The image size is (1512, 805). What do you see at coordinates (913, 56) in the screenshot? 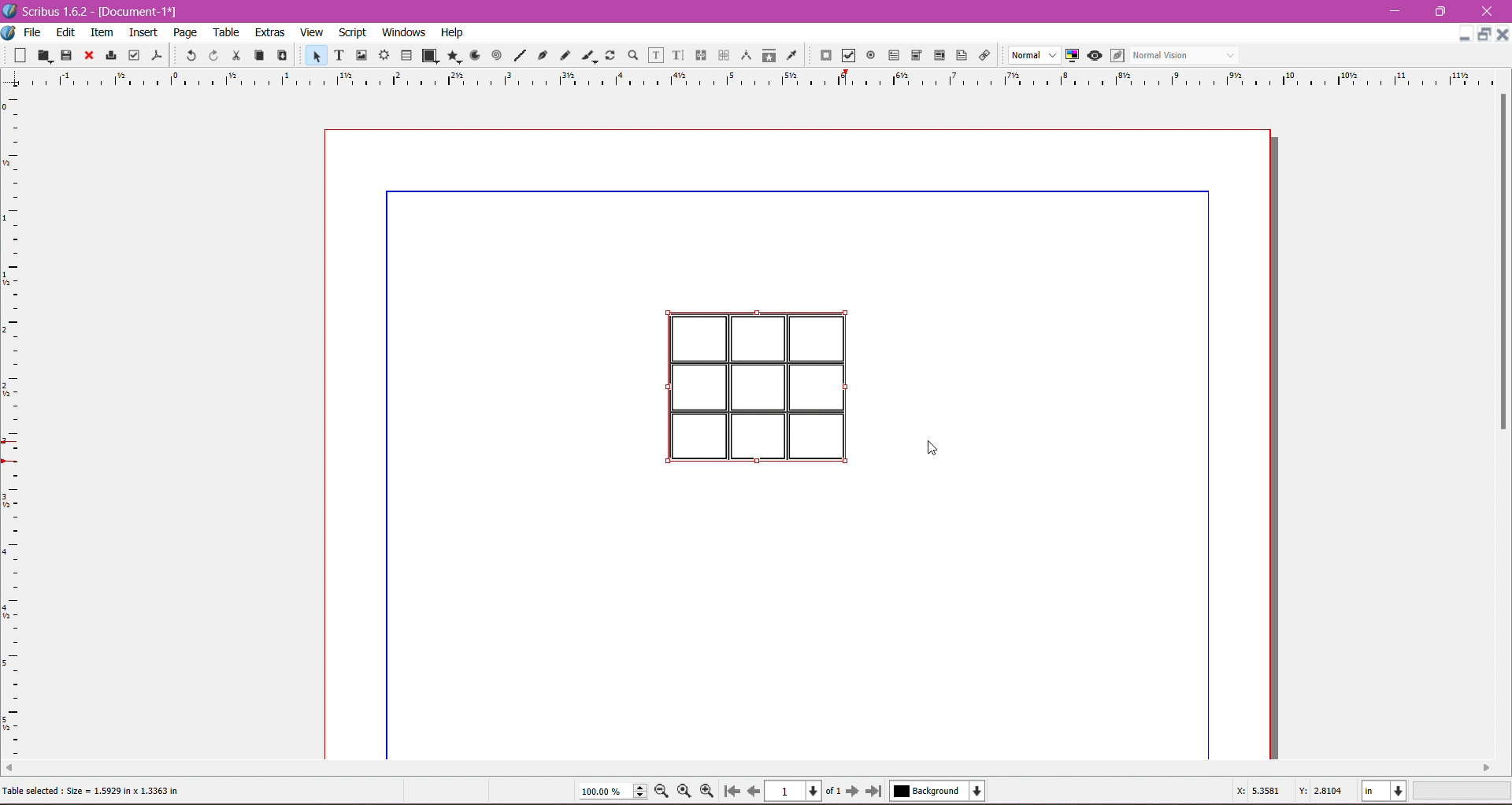
I see `PDF combo box` at bounding box center [913, 56].